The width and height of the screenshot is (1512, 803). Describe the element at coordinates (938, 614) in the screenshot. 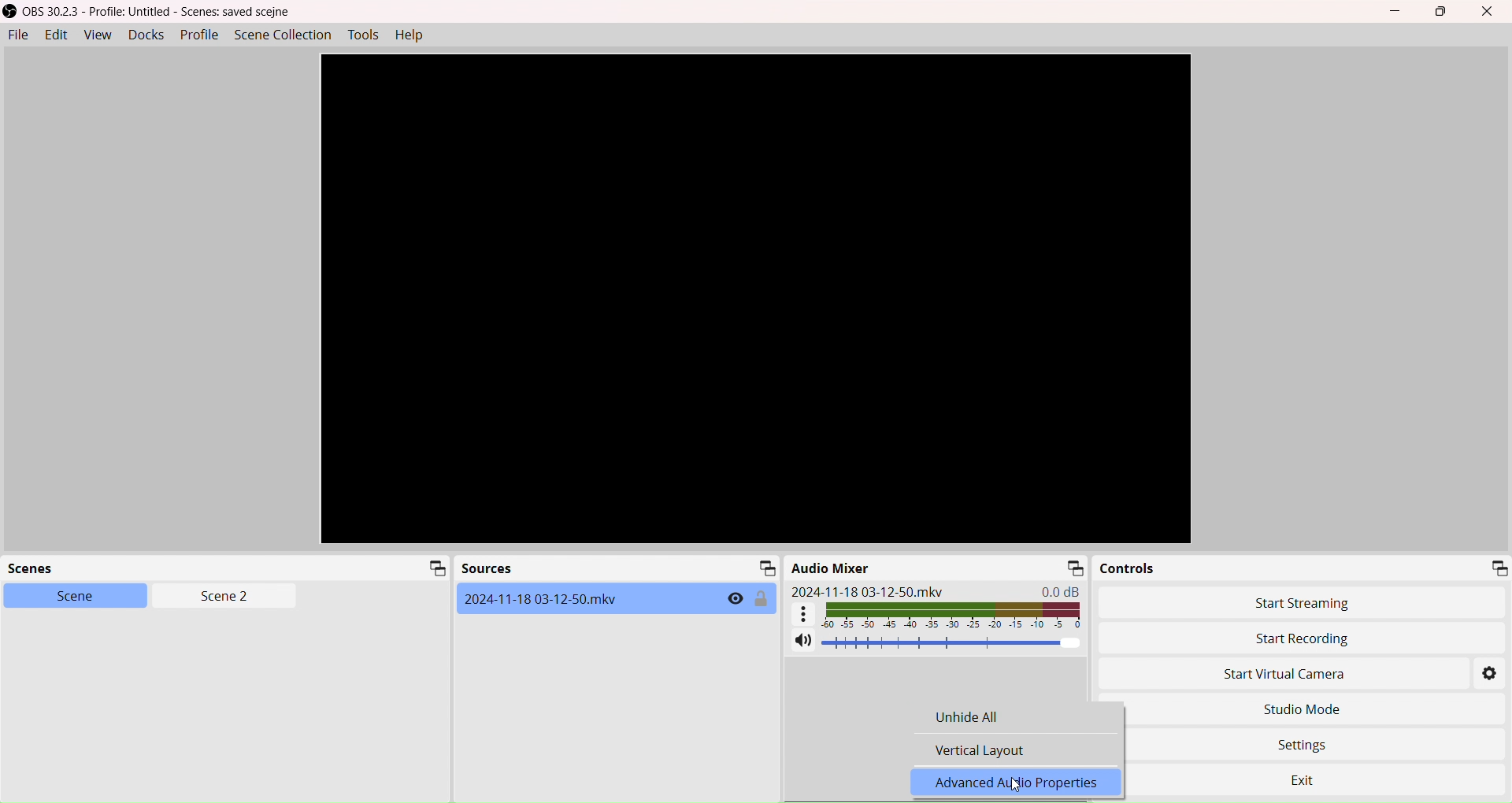

I see `Audio graph` at that location.